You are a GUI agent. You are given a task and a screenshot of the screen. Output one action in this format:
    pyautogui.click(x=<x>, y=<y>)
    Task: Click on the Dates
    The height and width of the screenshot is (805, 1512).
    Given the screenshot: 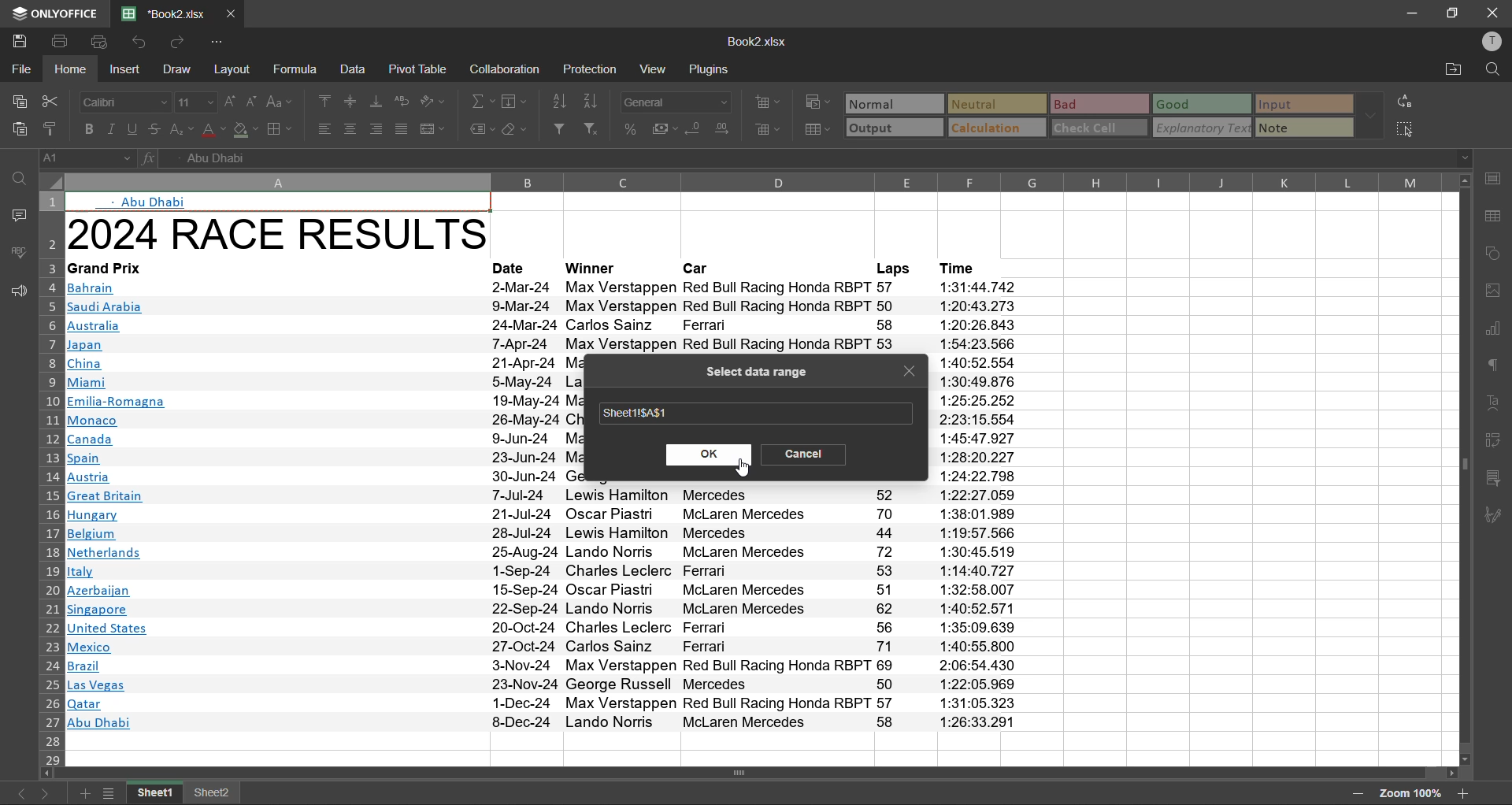 What is the action you would take?
    pyautogui.click(x=525, y=540)
    